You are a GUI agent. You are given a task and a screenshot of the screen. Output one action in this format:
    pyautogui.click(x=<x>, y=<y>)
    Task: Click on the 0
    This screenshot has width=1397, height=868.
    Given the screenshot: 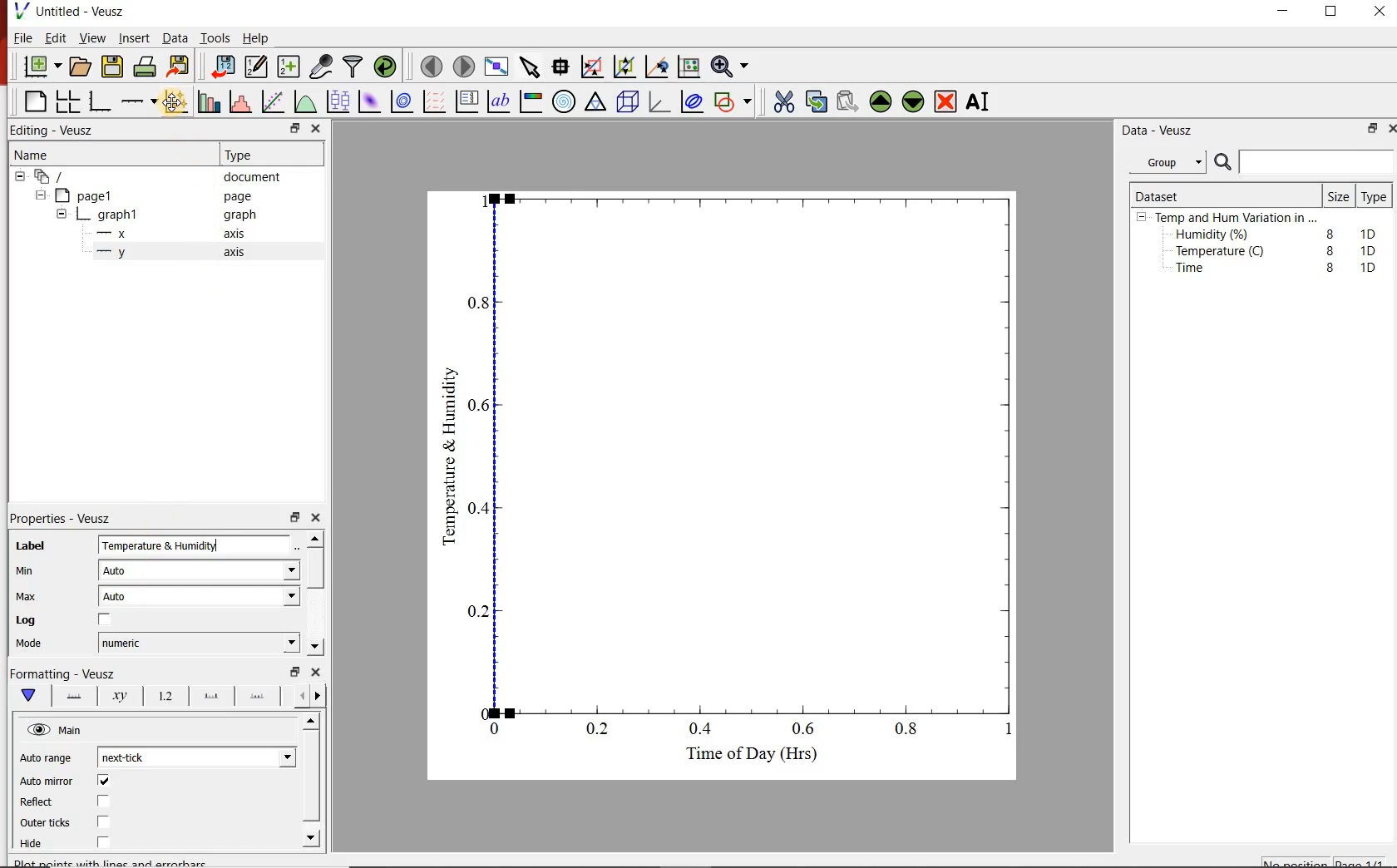 What is the action you would take?
    pyautogui.click(x=496, y=728)
    